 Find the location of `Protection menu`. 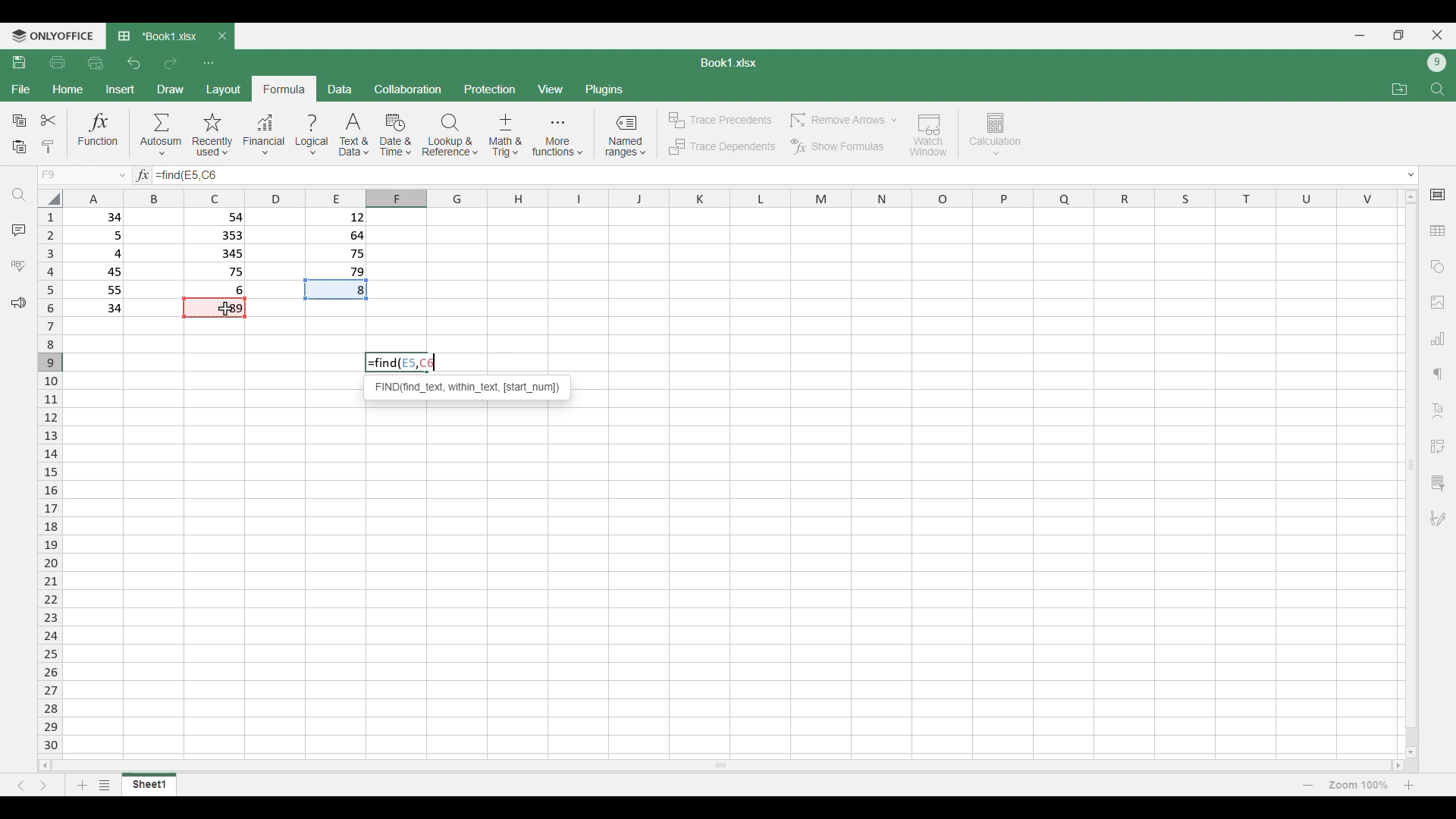

Protection menu is located at coordinates (490, 89).